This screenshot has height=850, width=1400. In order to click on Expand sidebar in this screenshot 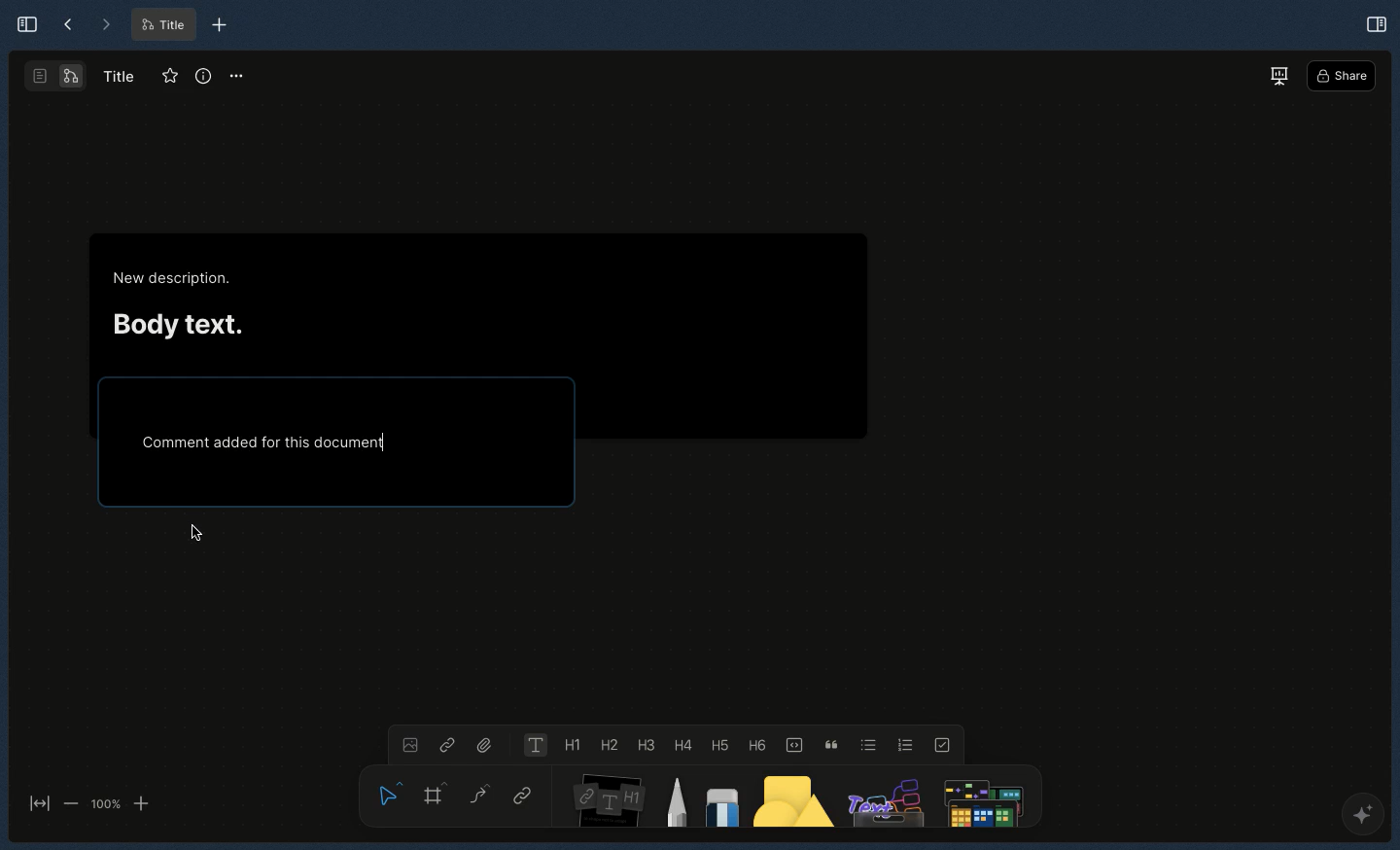, I will do `click(21, 23)`.